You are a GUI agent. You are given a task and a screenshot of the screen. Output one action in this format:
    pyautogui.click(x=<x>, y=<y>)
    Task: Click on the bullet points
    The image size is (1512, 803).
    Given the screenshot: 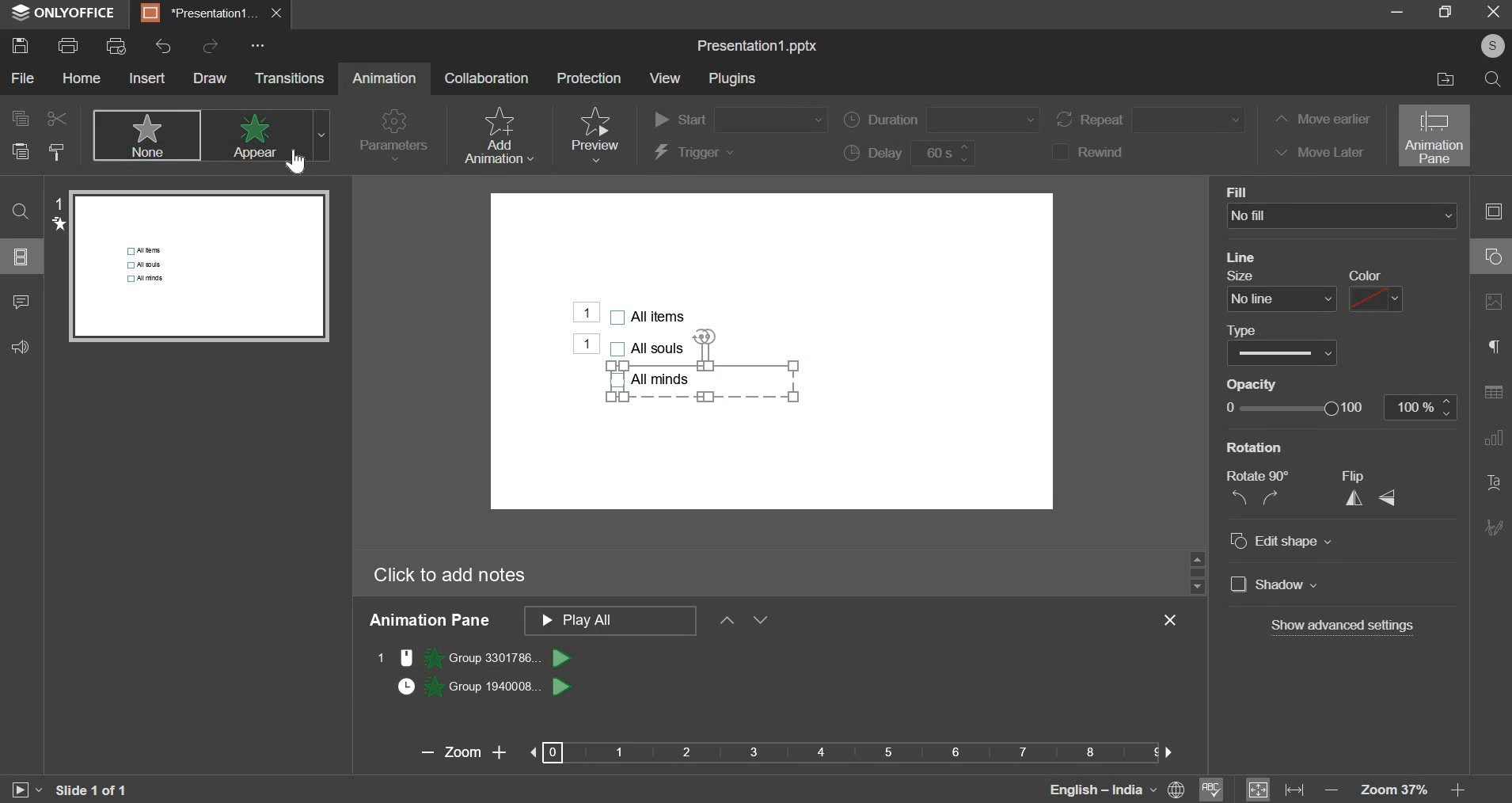 What is the action you would take?
    pyautogui.click(x=650, y=347)
    